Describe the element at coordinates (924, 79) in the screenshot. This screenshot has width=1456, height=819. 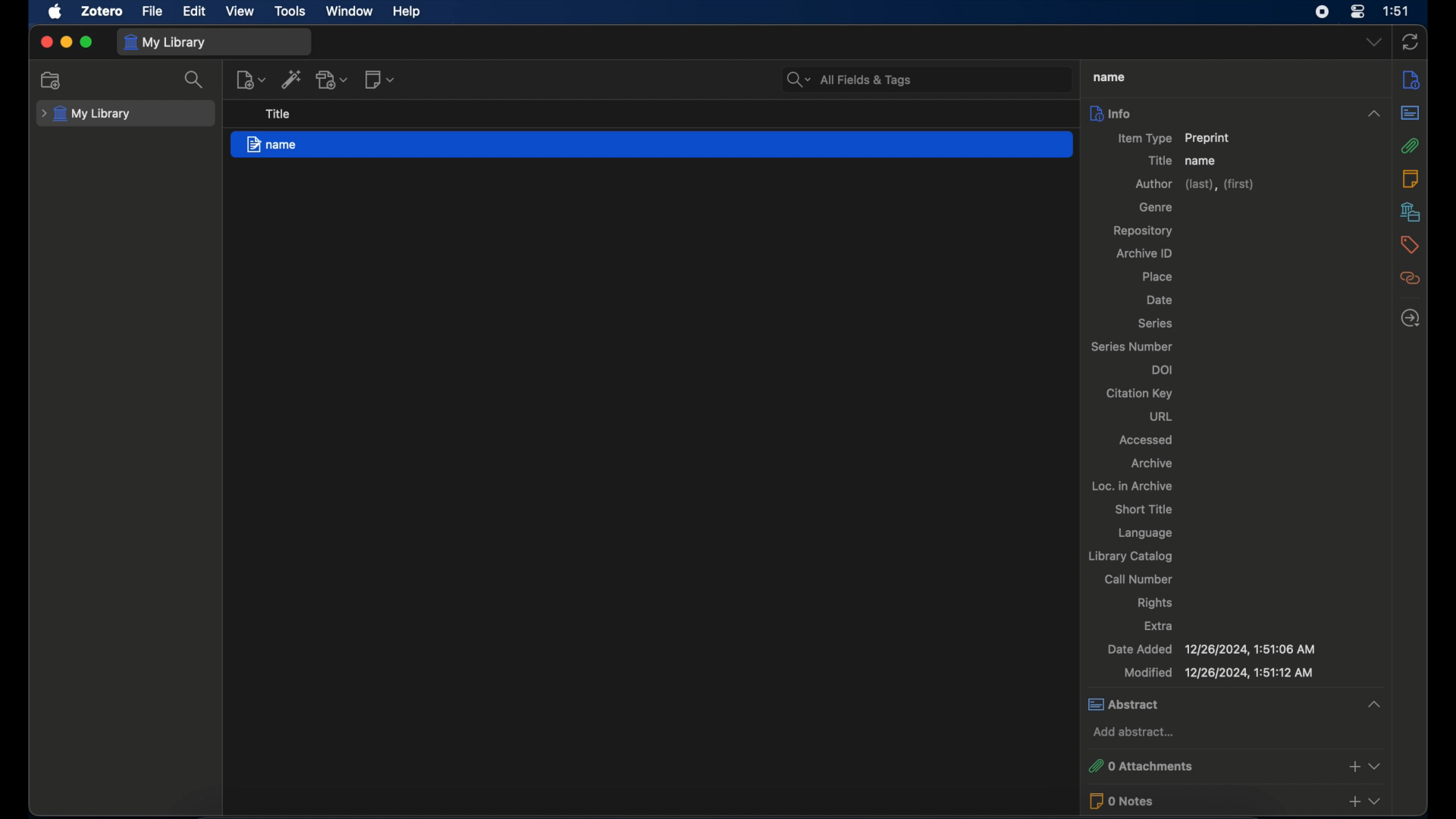
I see `All Fields & Tags` at that location.